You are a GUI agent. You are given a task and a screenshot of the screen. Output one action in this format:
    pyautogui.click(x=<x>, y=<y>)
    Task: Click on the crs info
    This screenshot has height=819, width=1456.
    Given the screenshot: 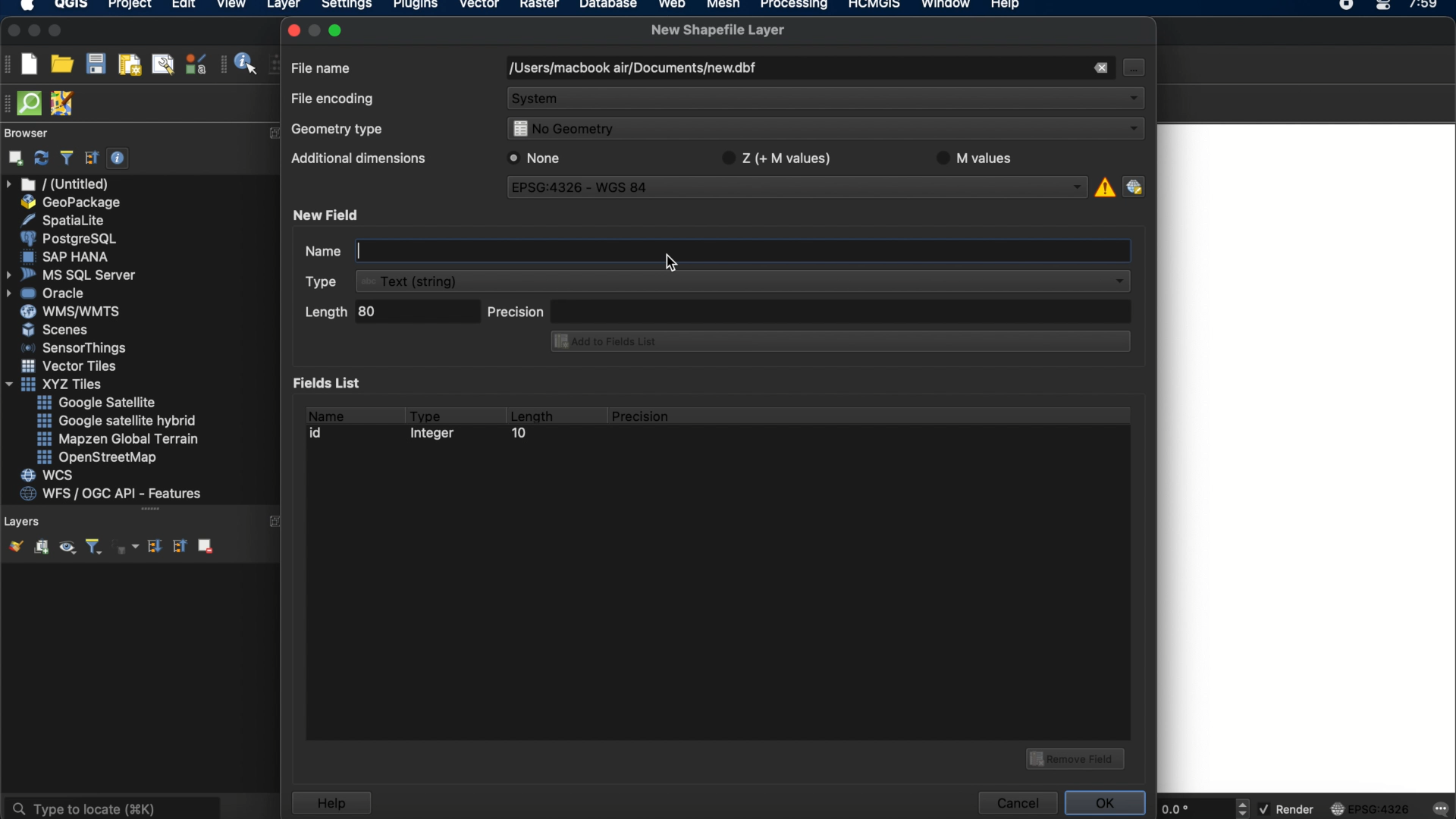 What is the action you would take?
    pyautogui.click(x=1103, y=185)
    